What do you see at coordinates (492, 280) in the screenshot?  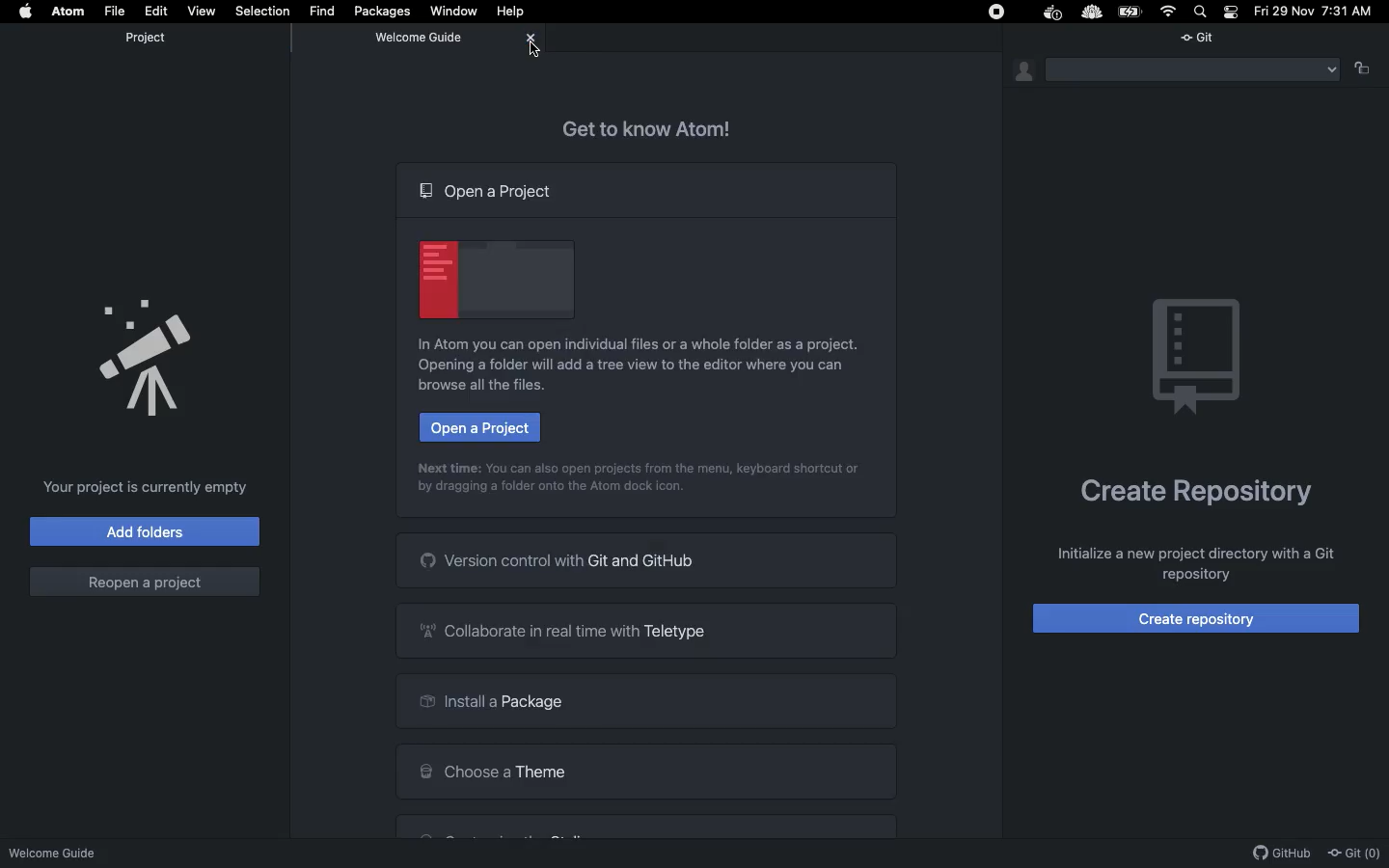 I see `Screen` at bounding box center [492, 280].